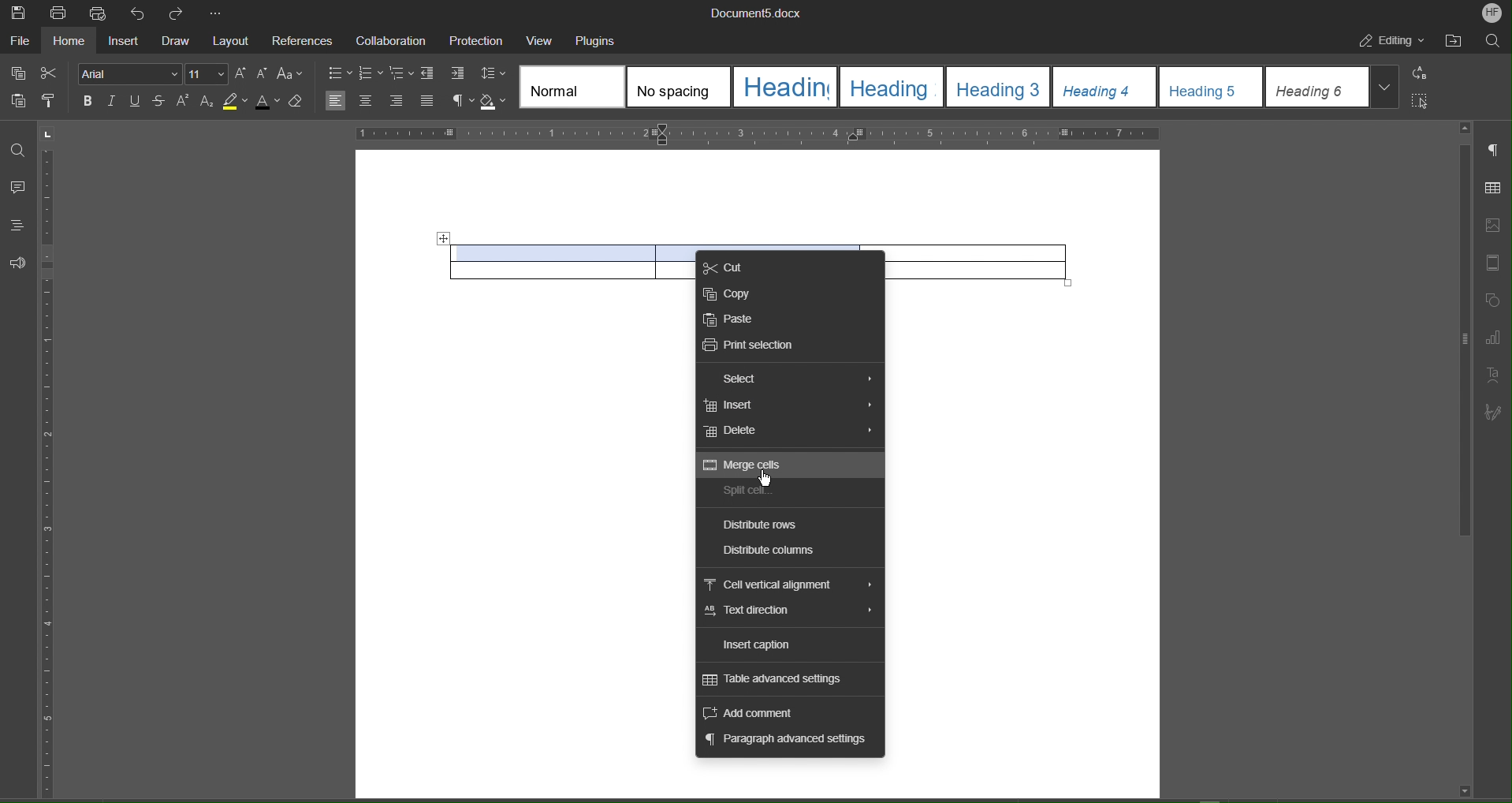  I want to click on Delete, so click(735, 432).